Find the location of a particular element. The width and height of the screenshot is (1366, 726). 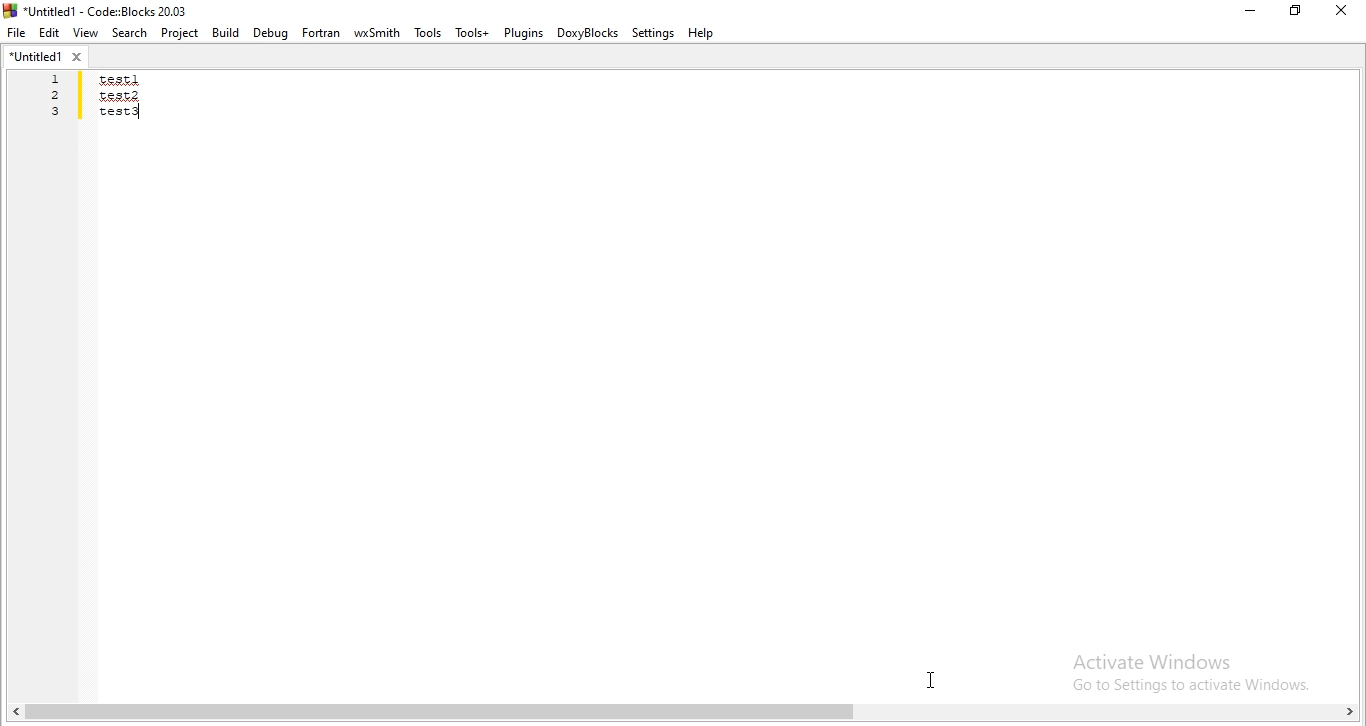

wxSmith is located at coordinates (377, 34).